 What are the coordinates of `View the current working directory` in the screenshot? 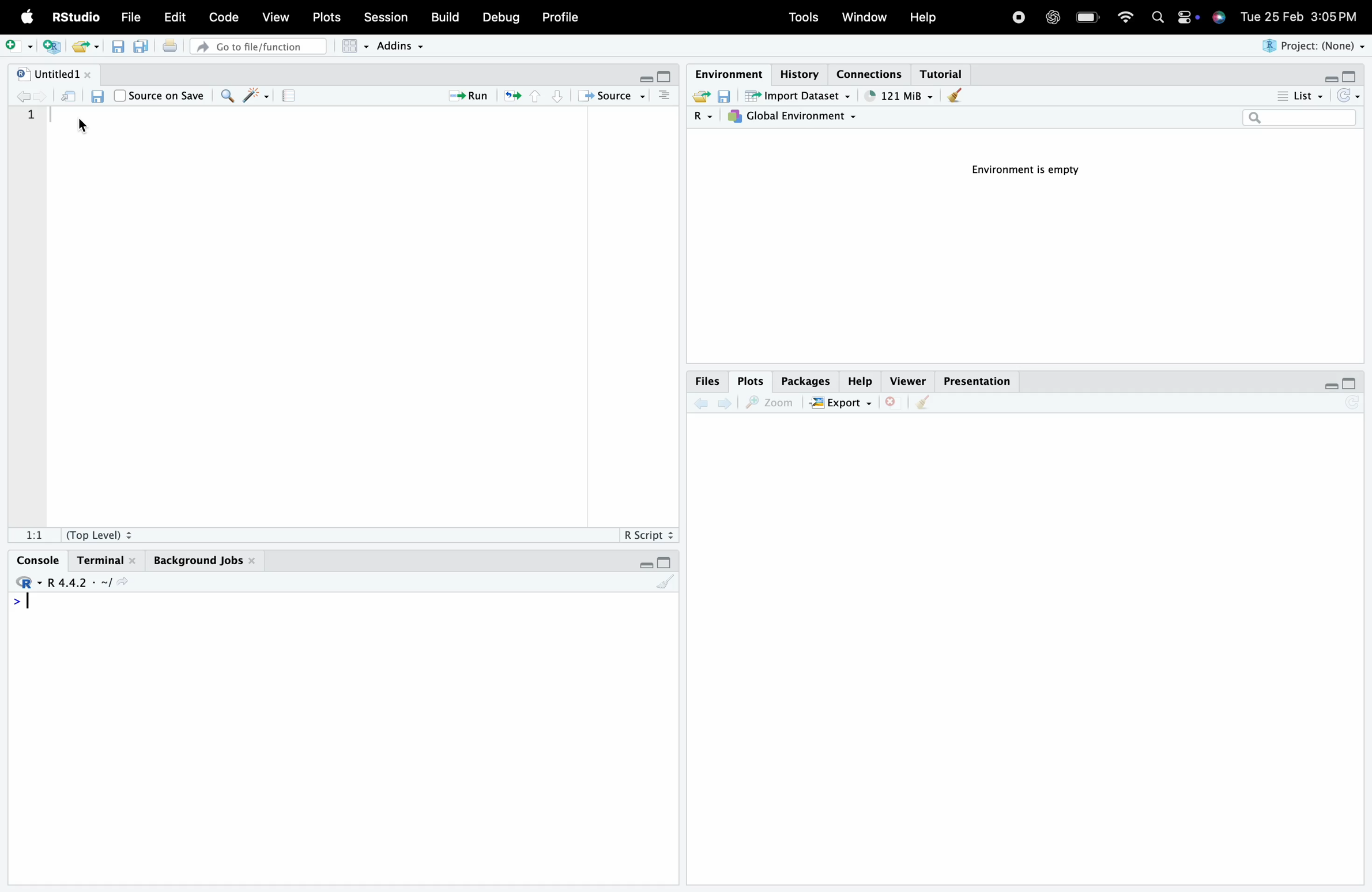 It's located at (125, 581).